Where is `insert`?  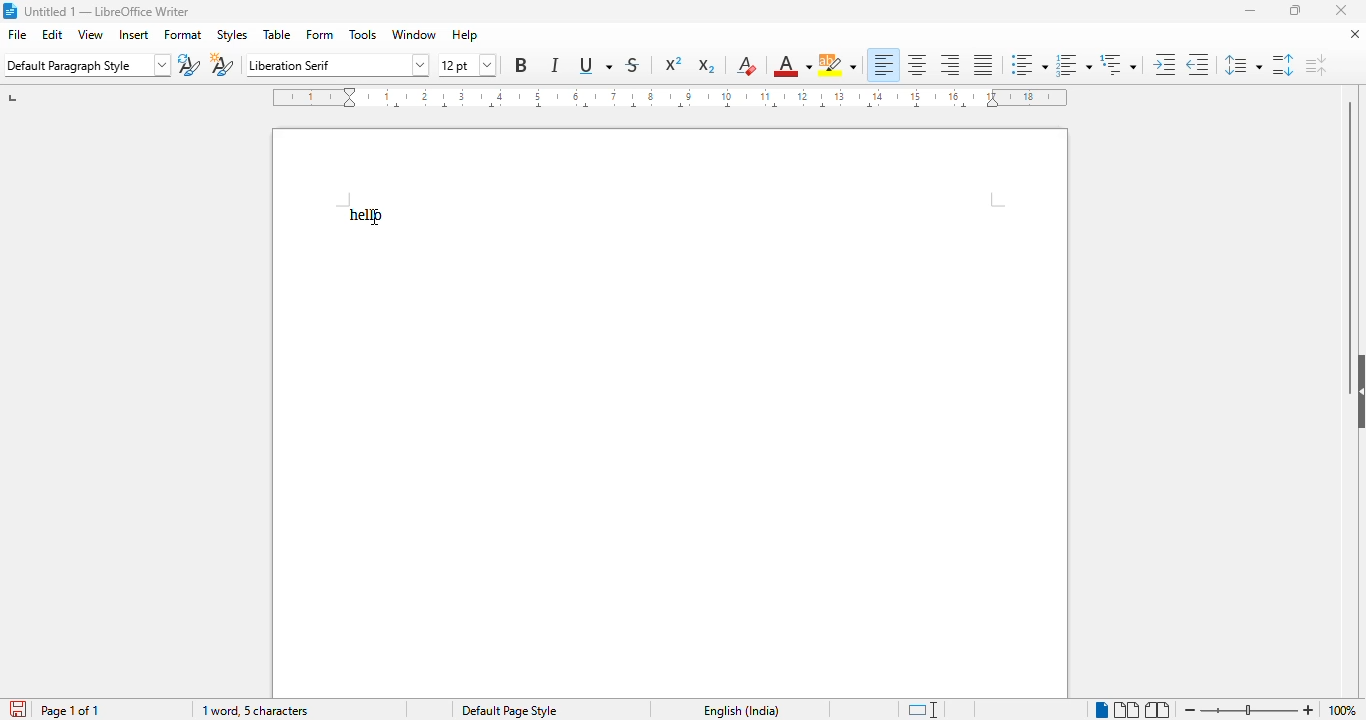
insert is located at coordinates (134, 35).